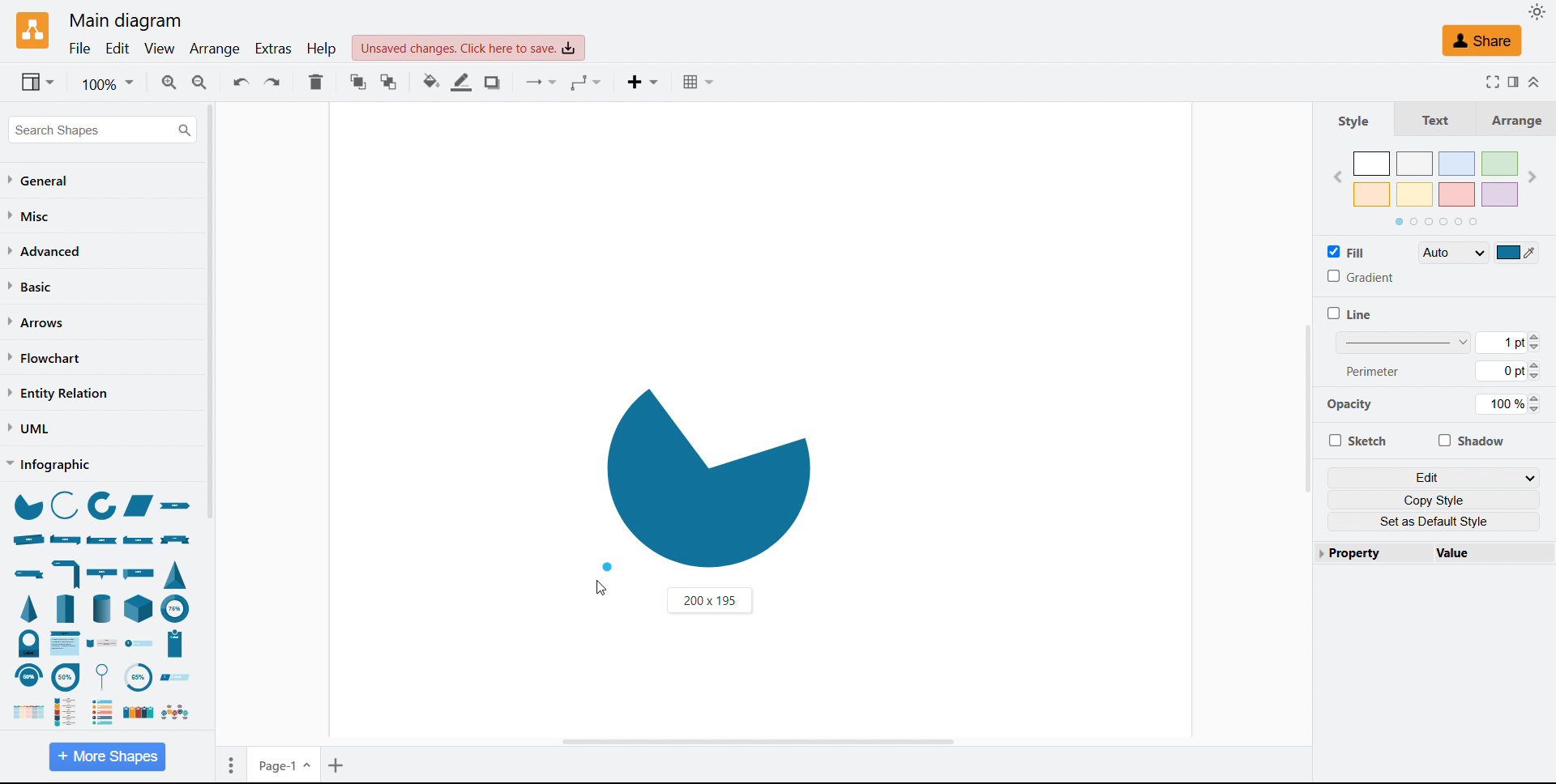 This screenshot has height=784, width=1556. I want to click on Waypoints , so click(587, 83).